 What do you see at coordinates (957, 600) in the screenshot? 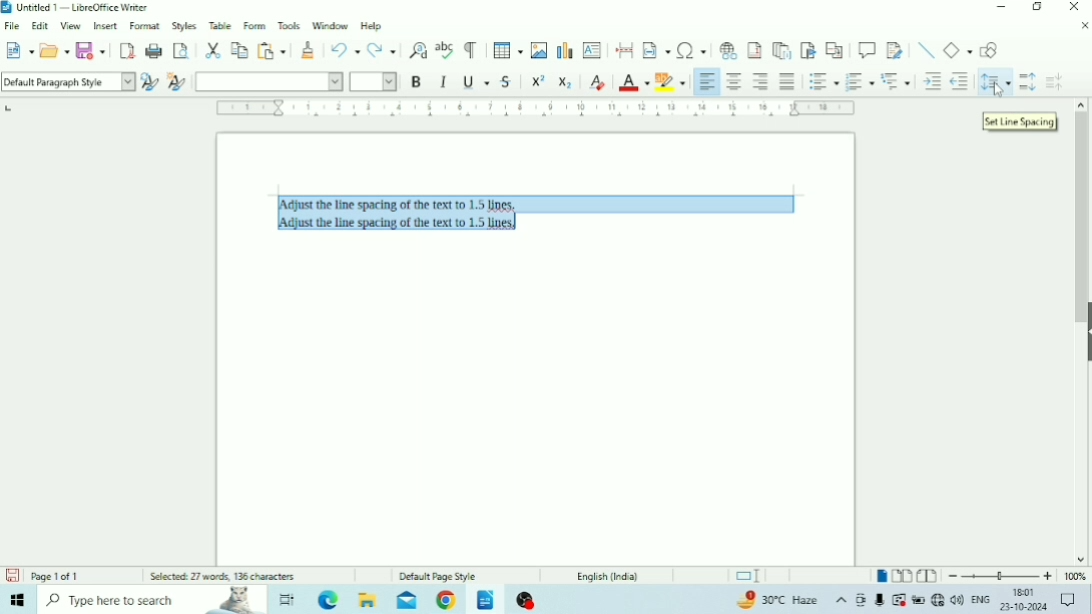
I see `Speakers` at bounding box center [957, 600].